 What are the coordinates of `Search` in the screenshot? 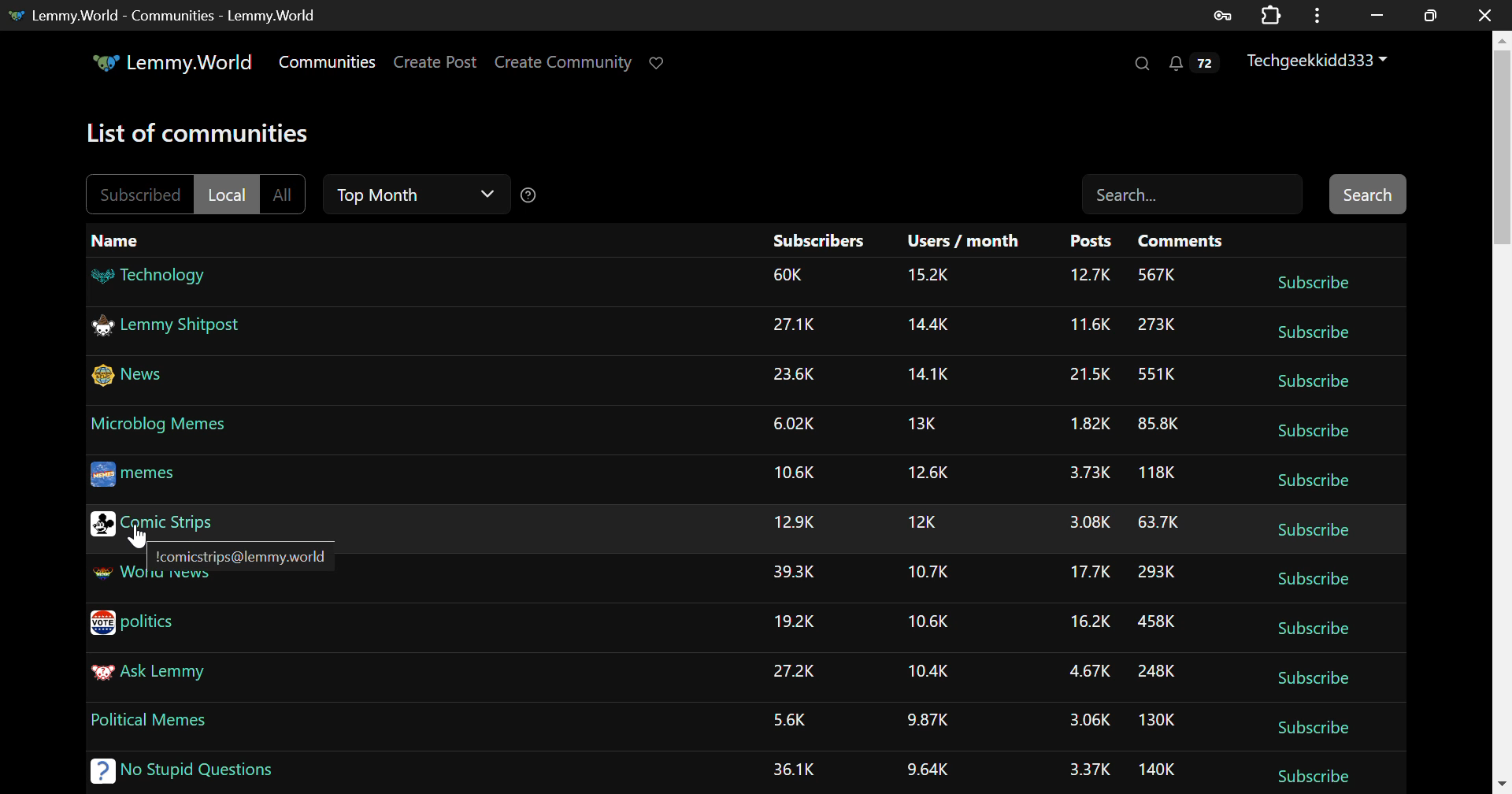 It's located at (1365, 195).